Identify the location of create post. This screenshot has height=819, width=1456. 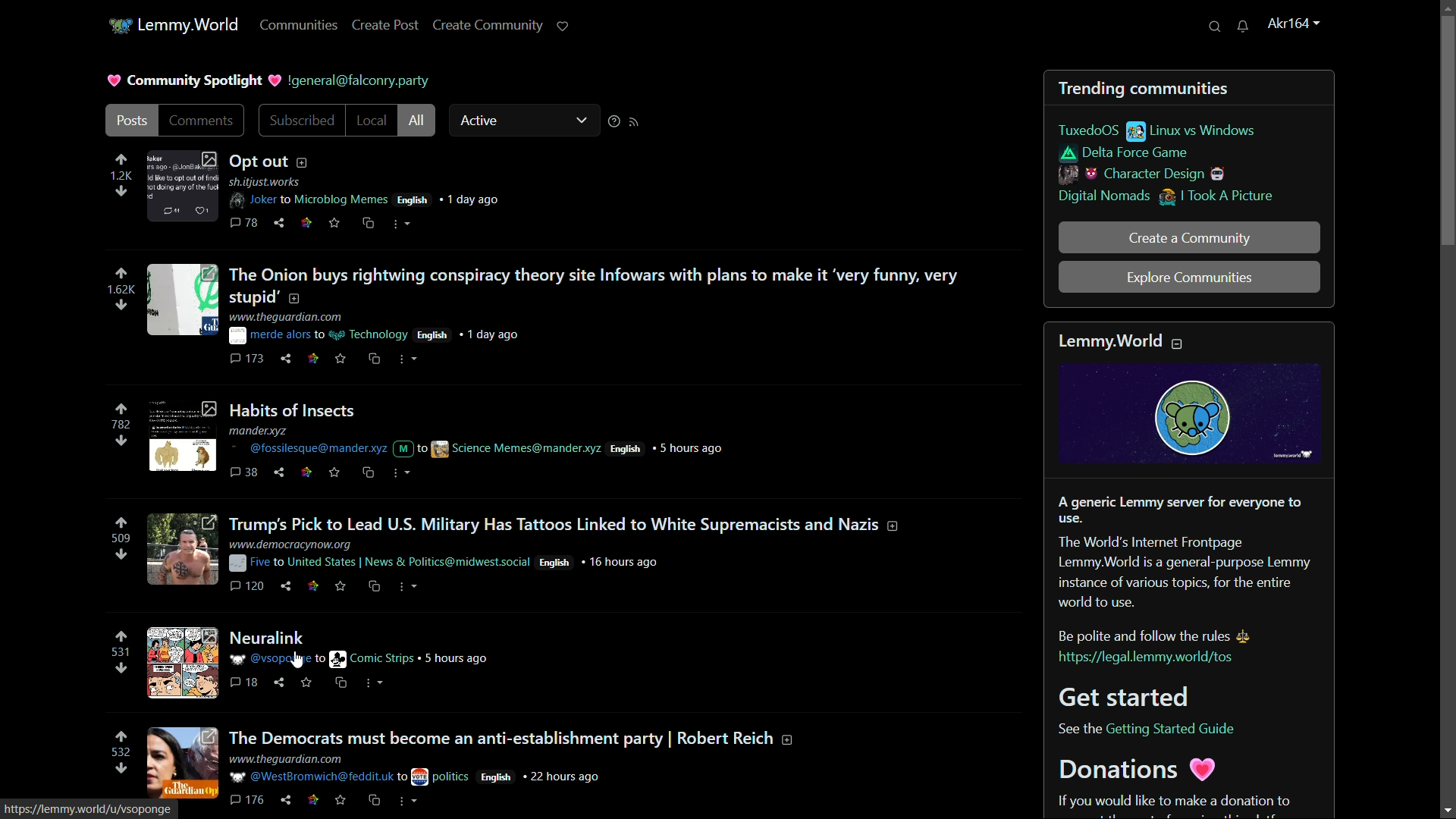
(388, 26).